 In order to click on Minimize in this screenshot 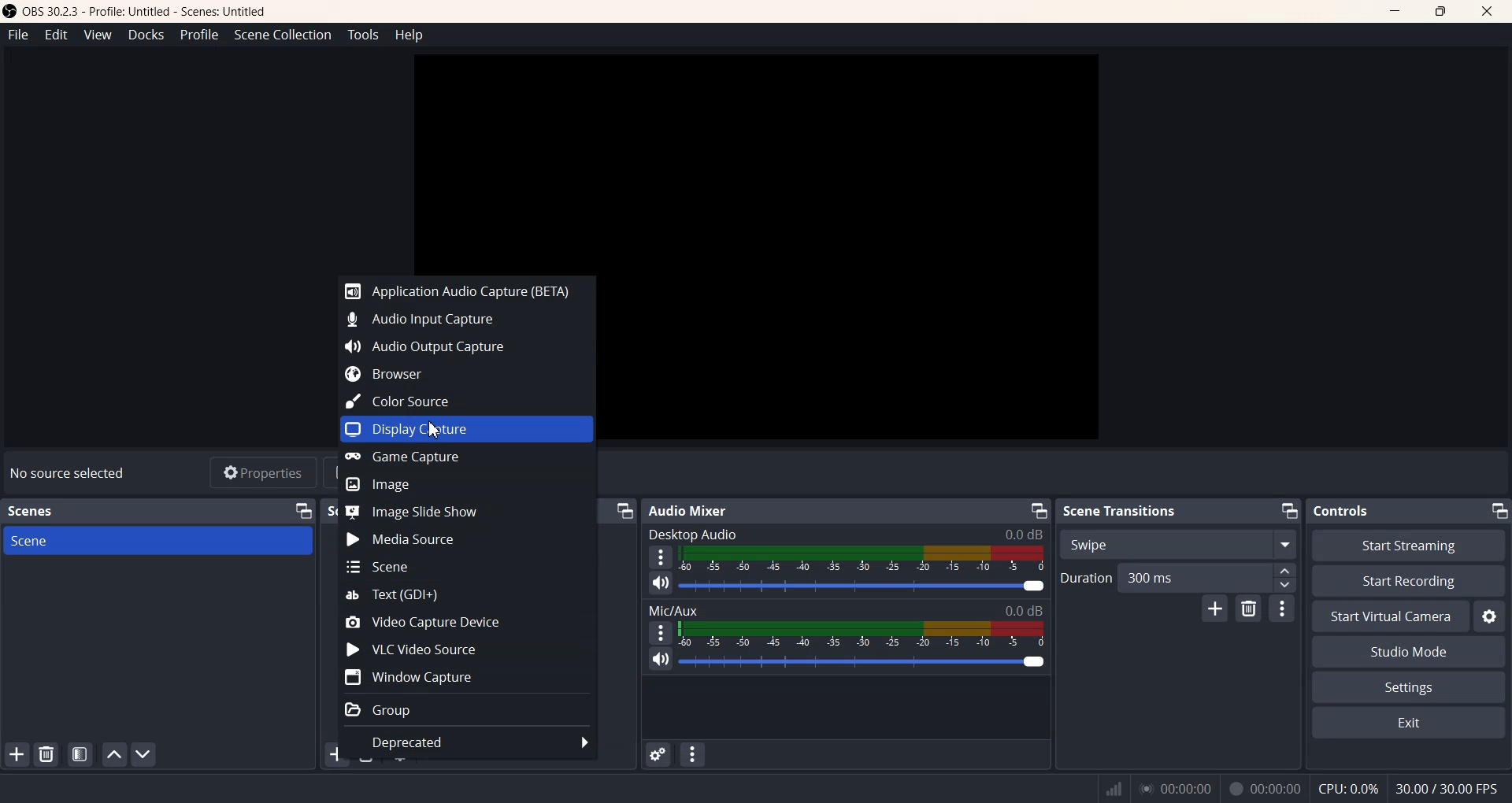, I will do `click(302, 511)`.